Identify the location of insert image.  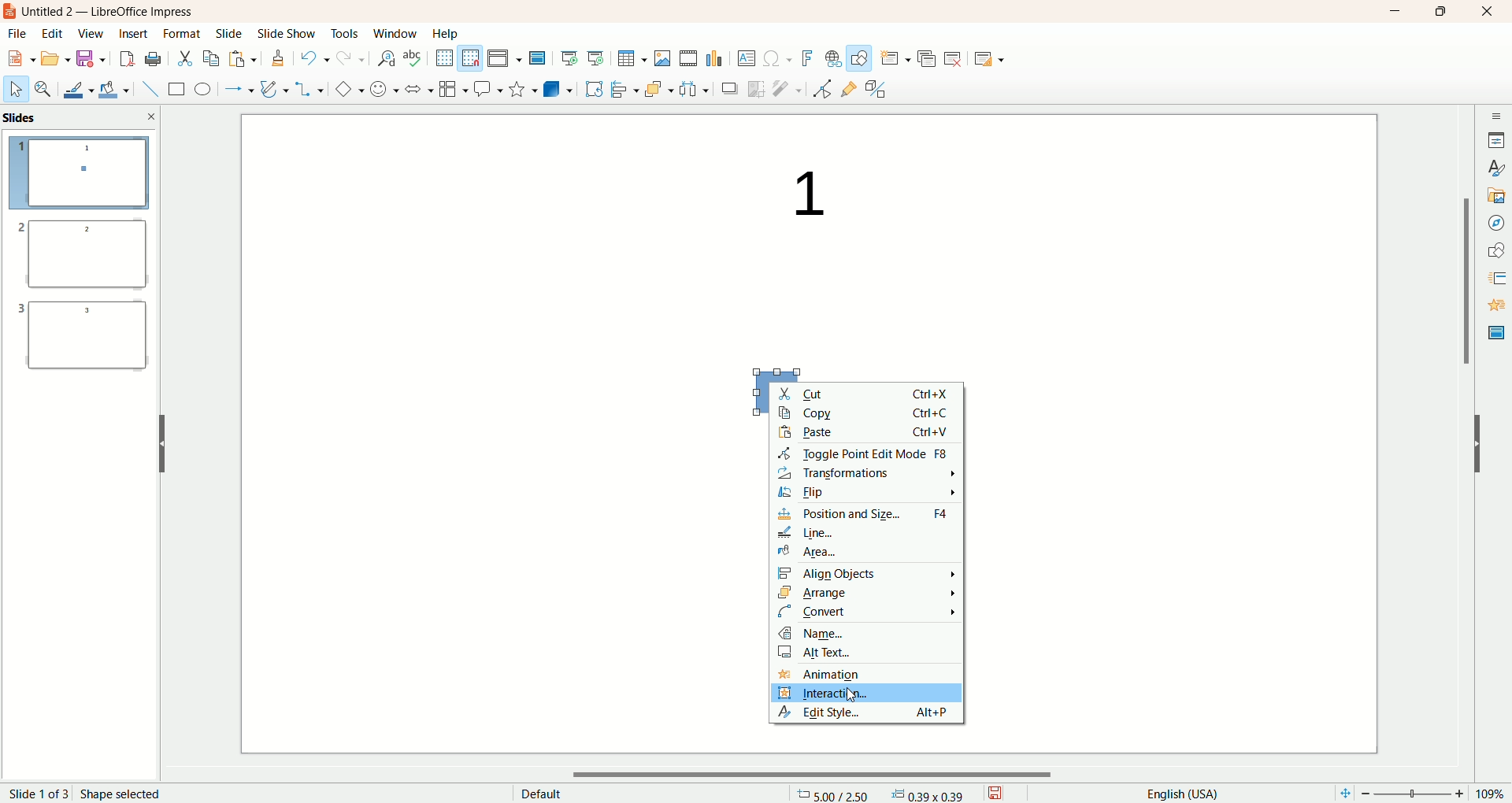
(663, 57).